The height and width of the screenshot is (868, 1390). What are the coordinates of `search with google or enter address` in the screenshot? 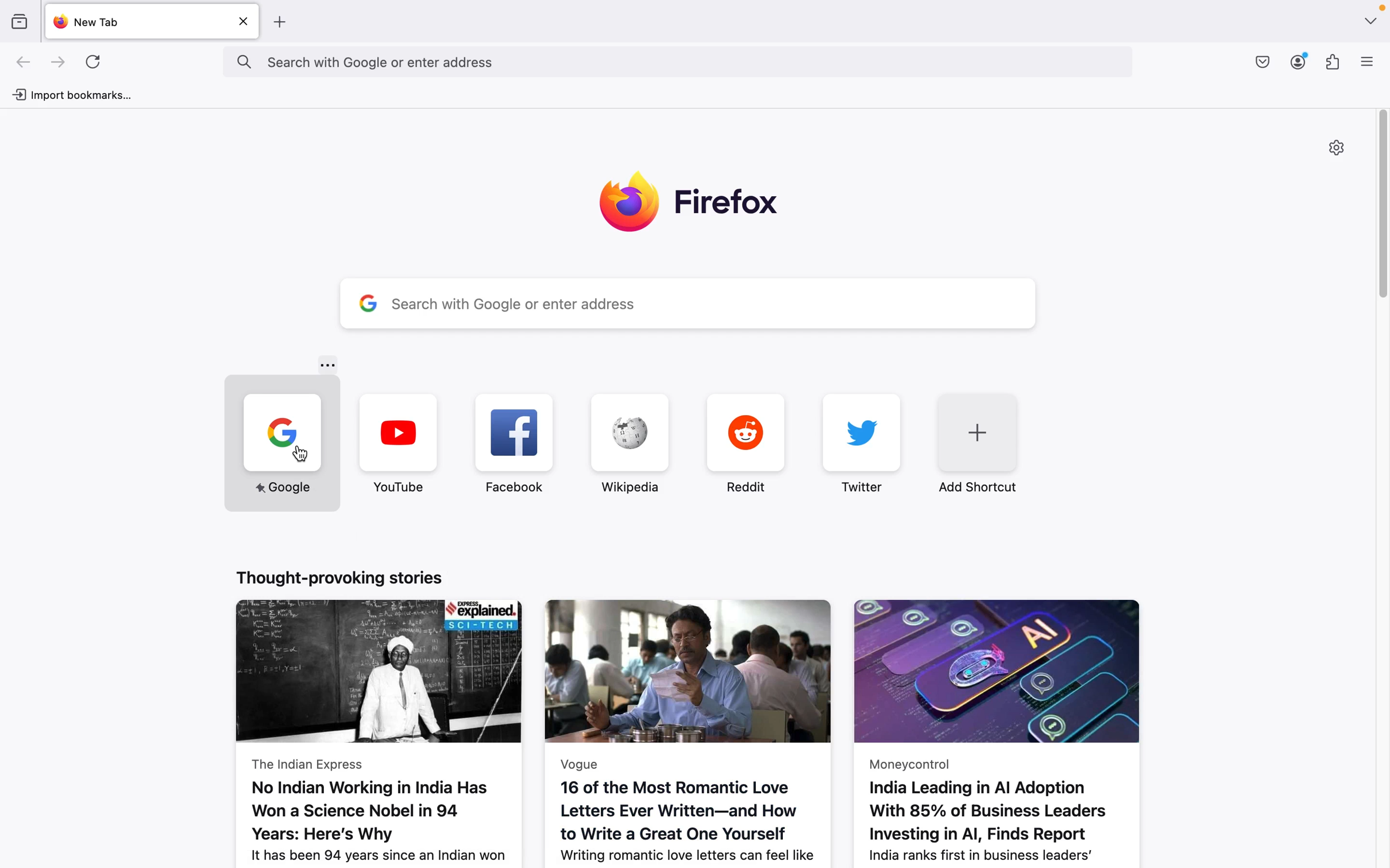 It's located at (690, 303).